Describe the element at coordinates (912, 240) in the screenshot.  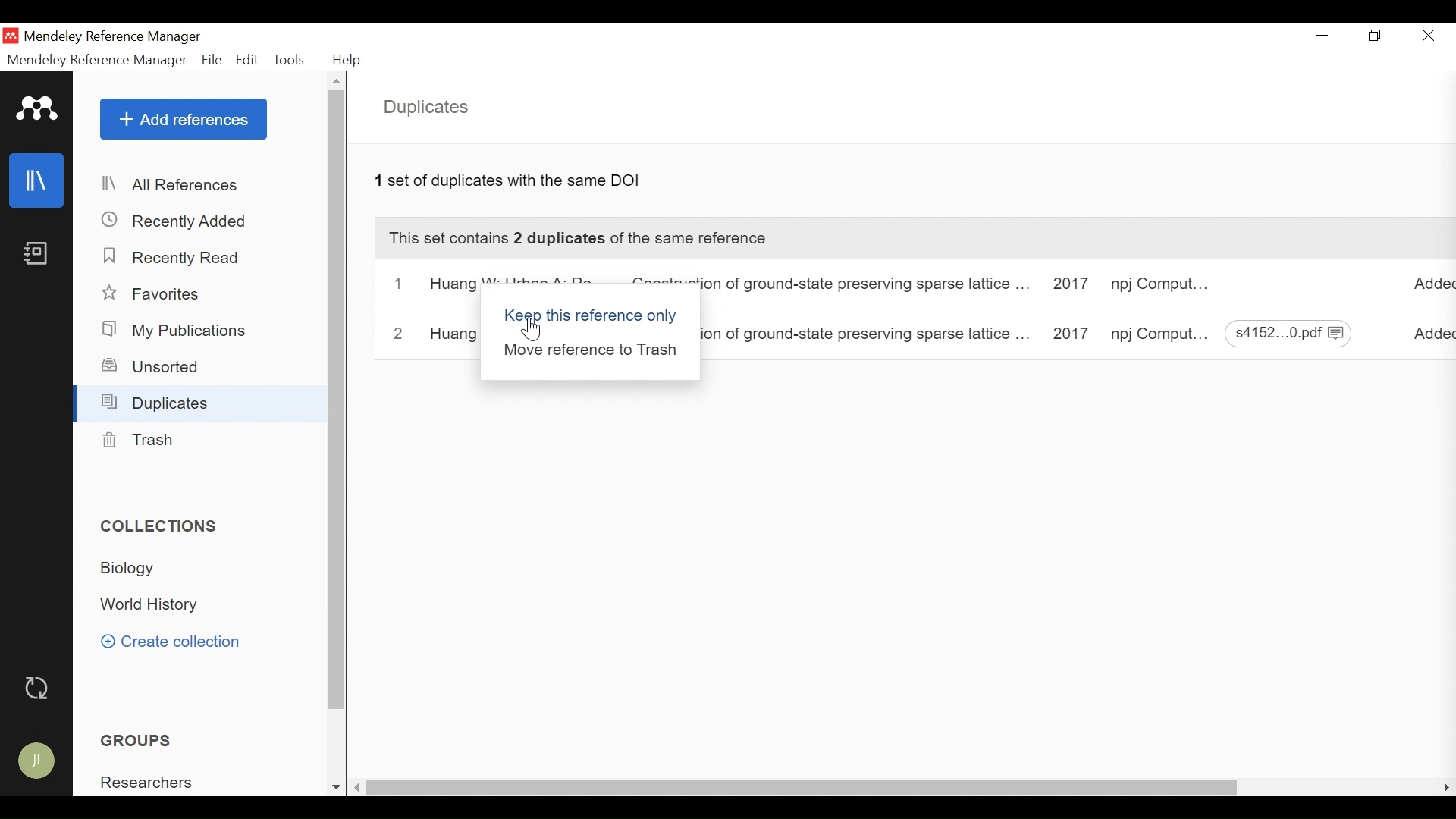
I see `This Set Contains this number duplicates of the same reference` at that location.